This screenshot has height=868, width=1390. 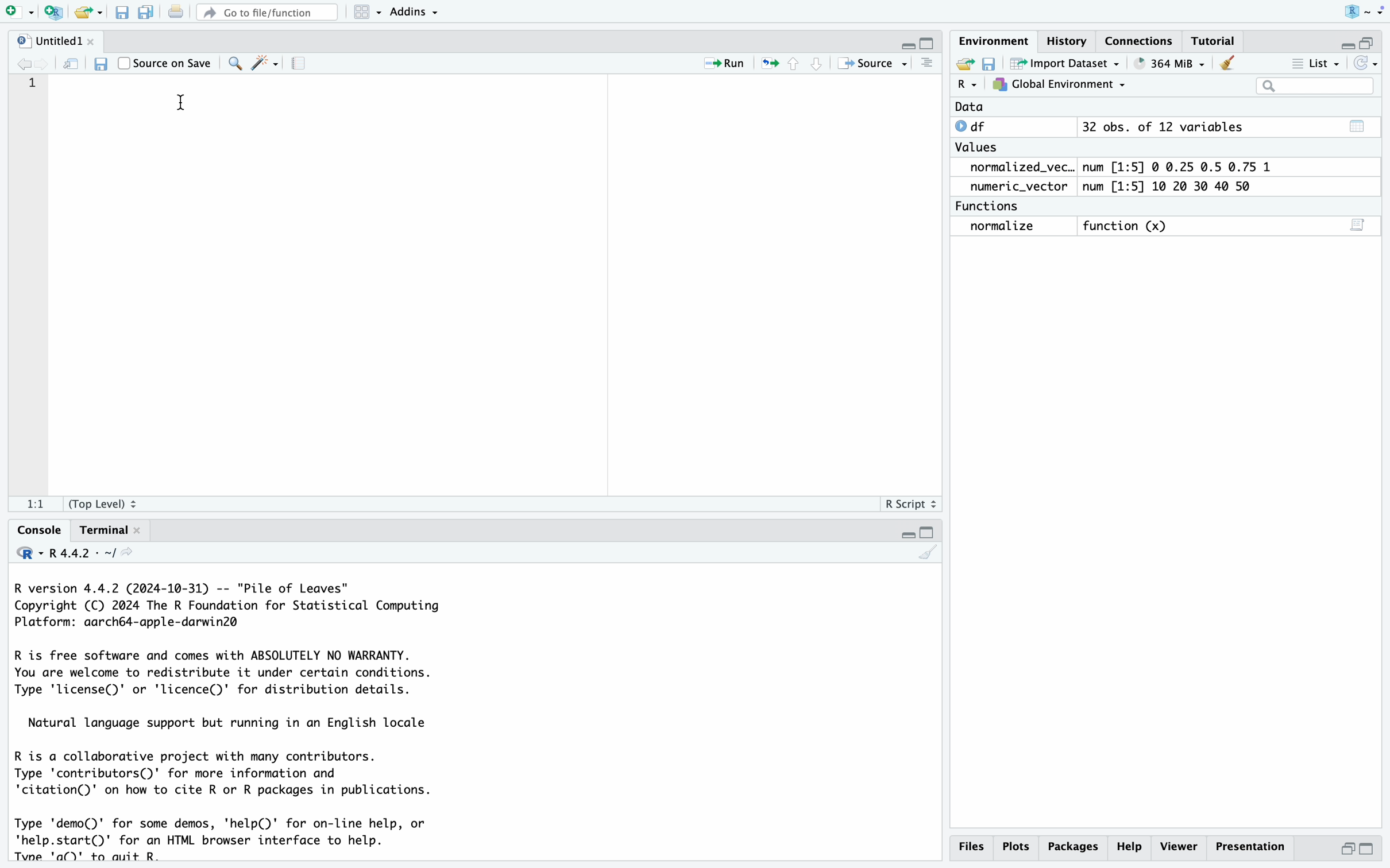 I want to click on Front, so click(x=47, y=63).